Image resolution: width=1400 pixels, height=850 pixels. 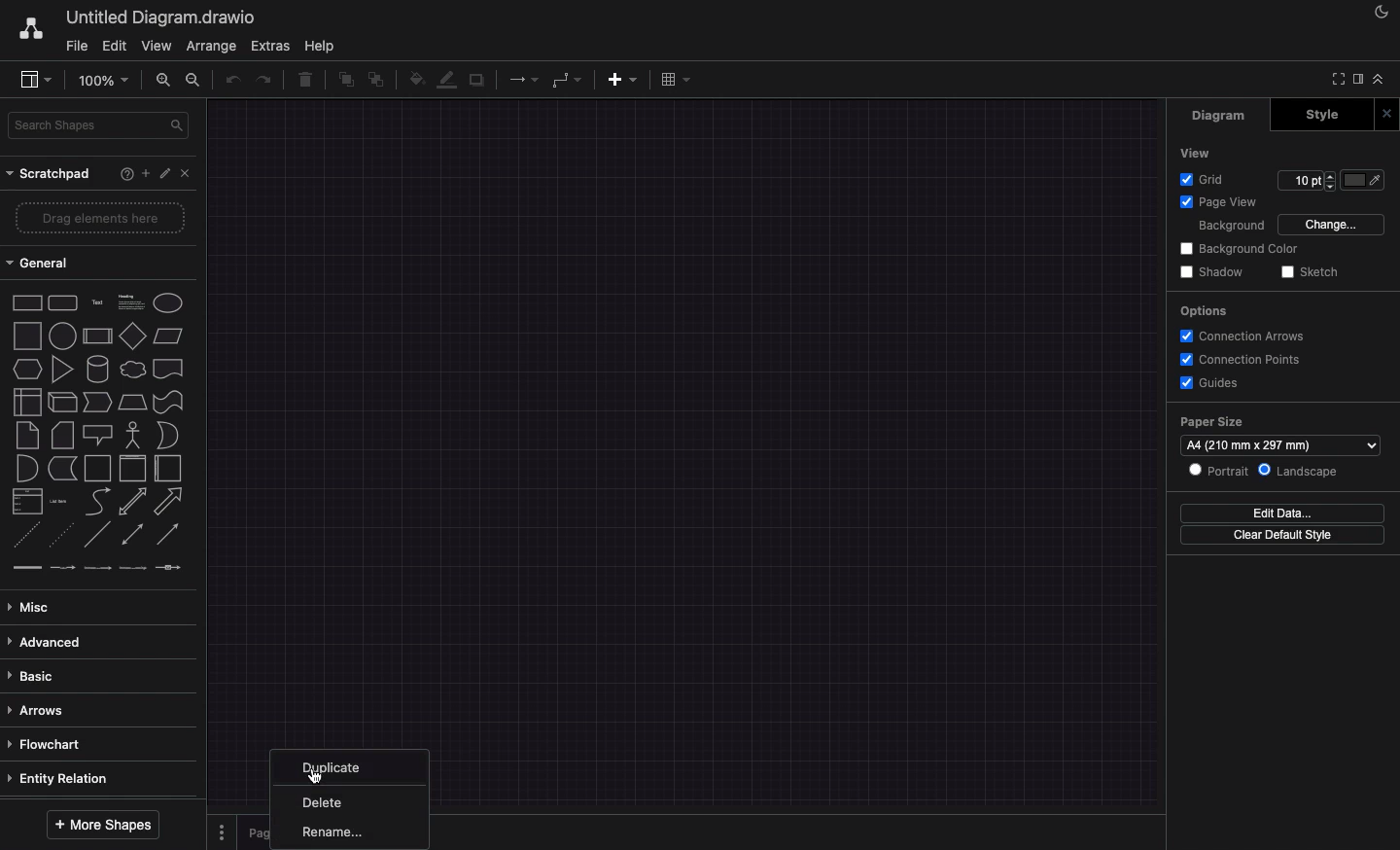 I want to click on duplicate, so click(x=349, y=767).